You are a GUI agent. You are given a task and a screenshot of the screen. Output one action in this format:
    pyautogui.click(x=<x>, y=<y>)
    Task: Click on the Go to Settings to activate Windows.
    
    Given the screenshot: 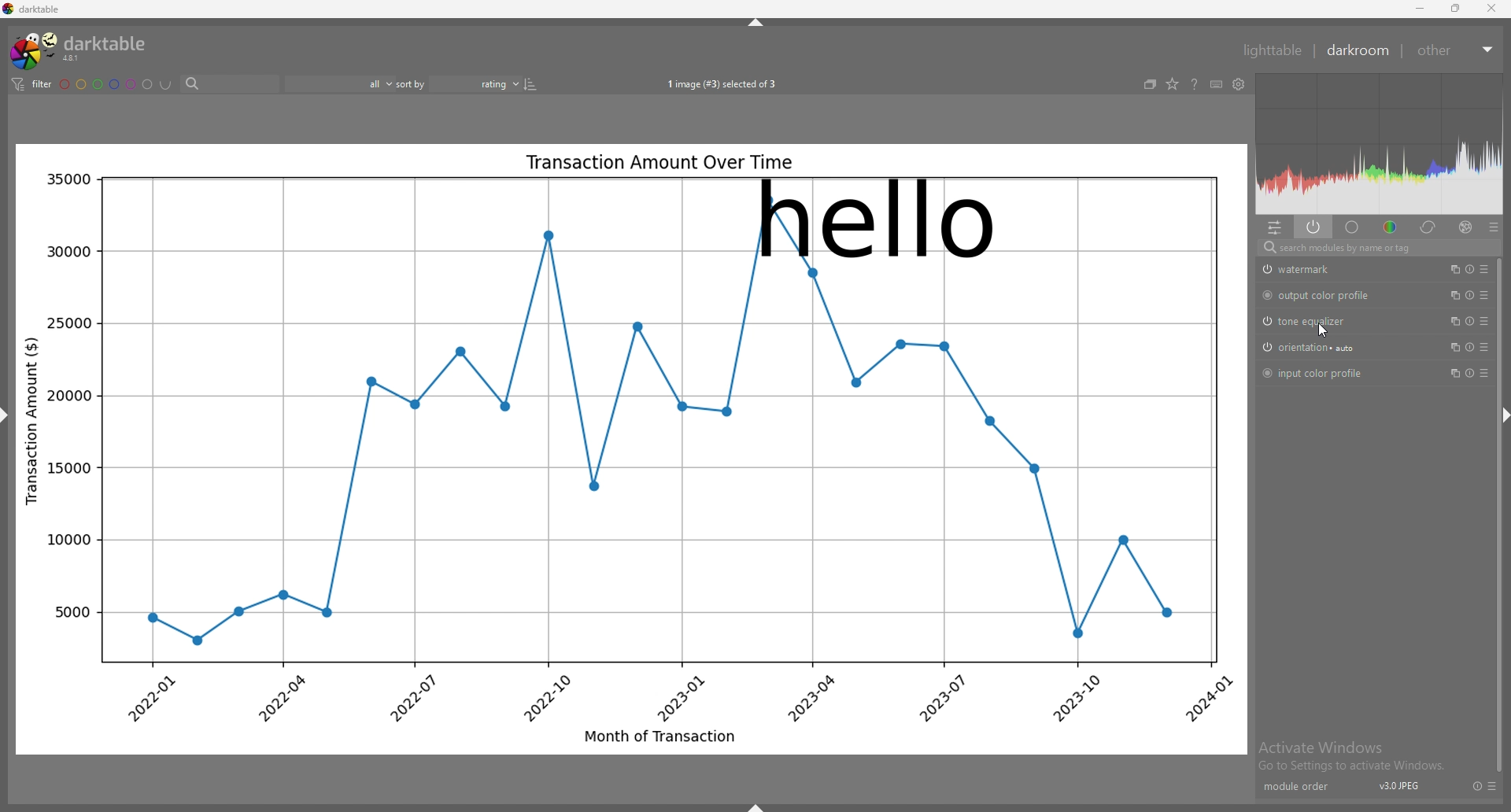 What is the action you would take?
    pyautogui.click(x=1353, y=767)
    